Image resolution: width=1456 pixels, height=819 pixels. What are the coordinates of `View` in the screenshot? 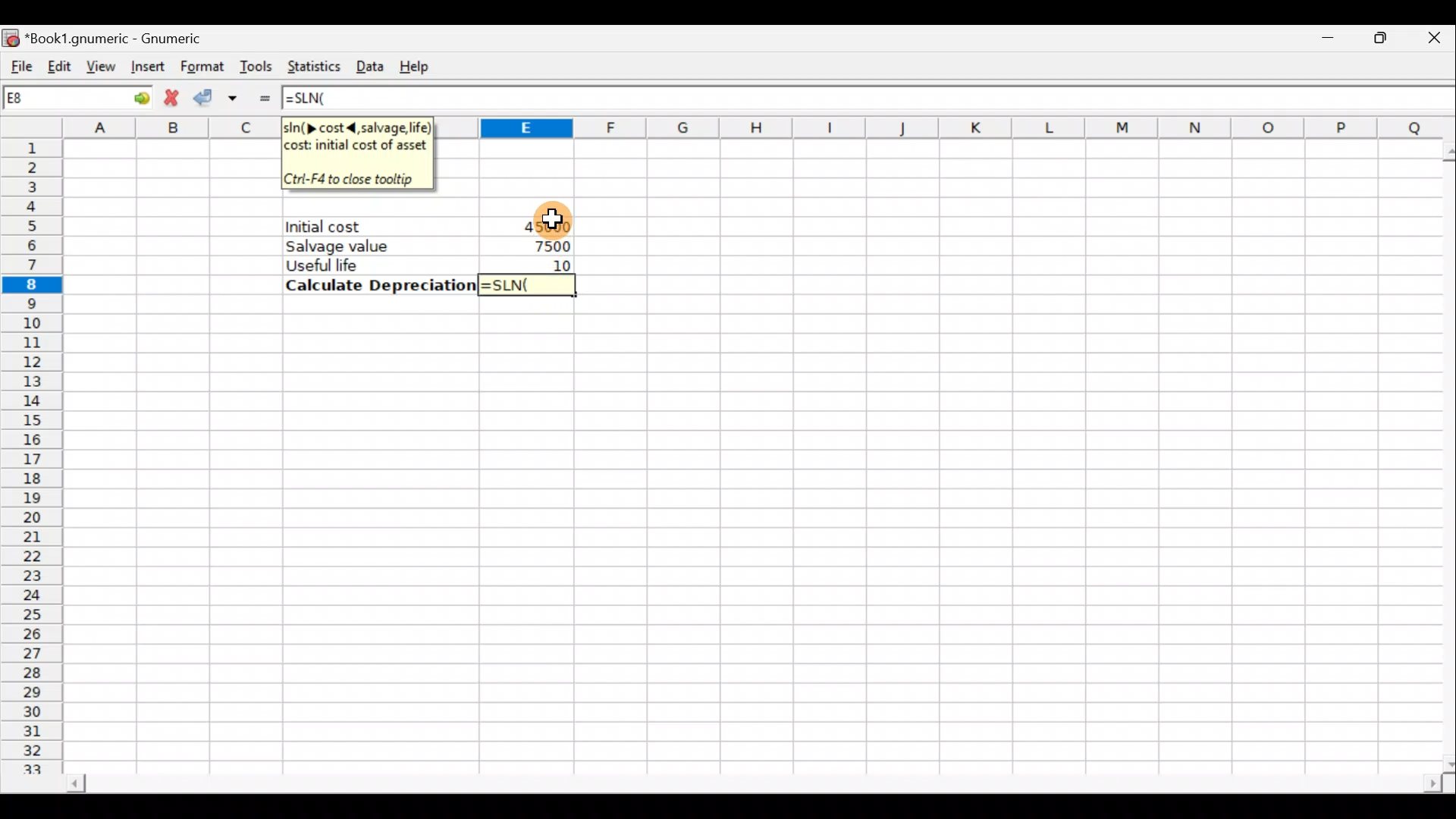 It's located at (100, 64).